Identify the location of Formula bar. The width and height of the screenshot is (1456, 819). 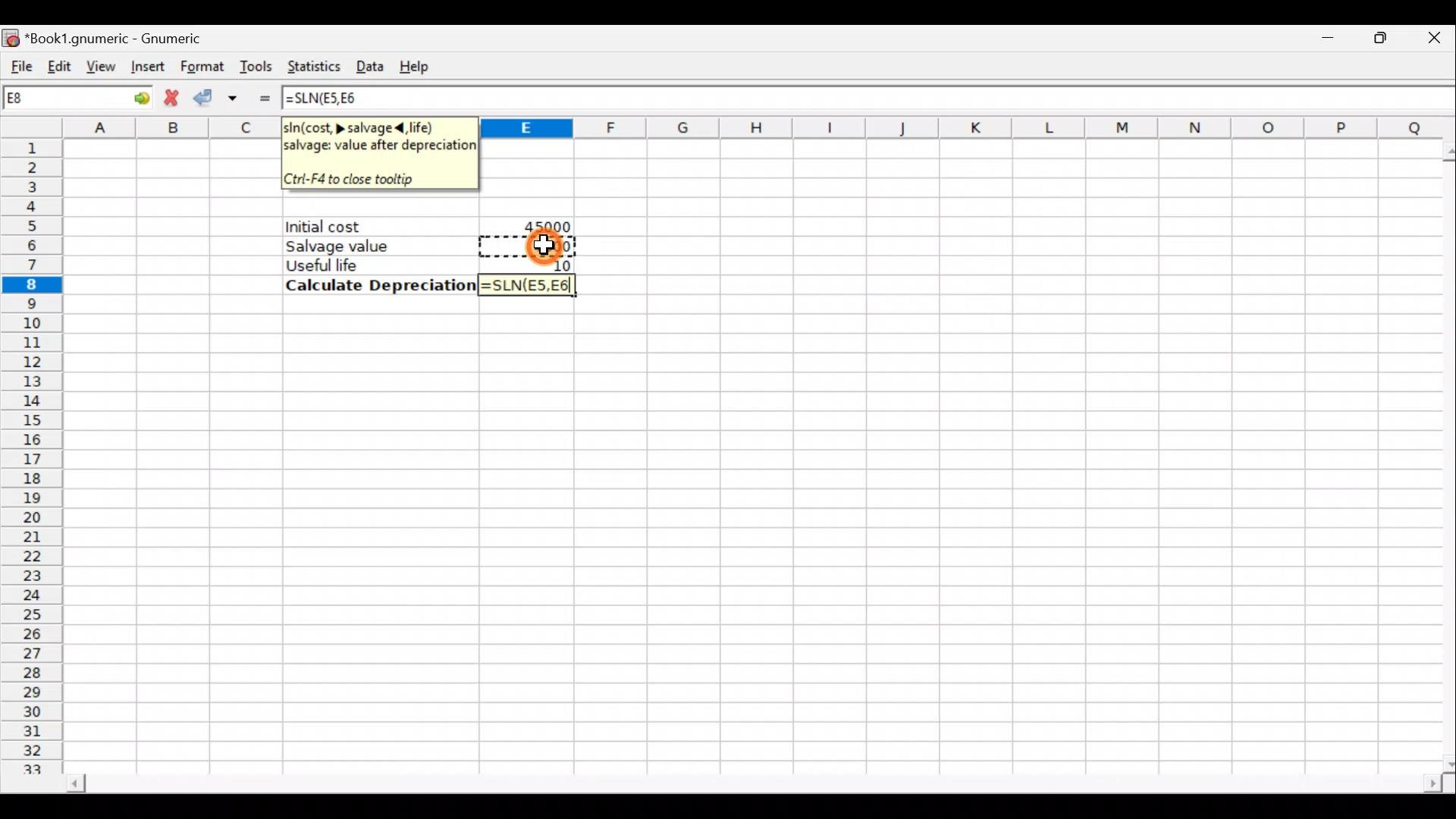
(918, 99).